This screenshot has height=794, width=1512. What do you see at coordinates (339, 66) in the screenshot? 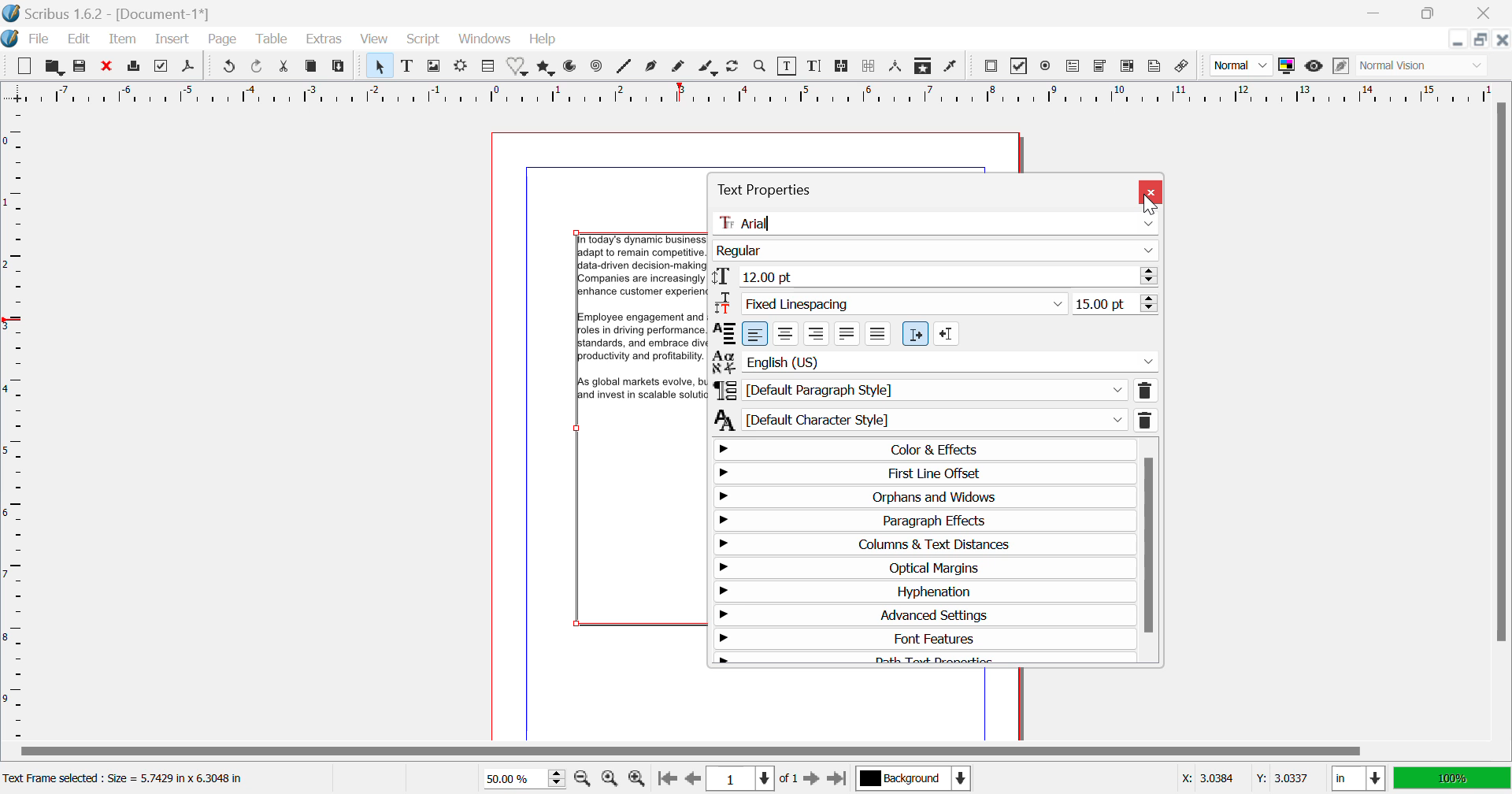
I see `Paste` at bounding box center [339, 66].